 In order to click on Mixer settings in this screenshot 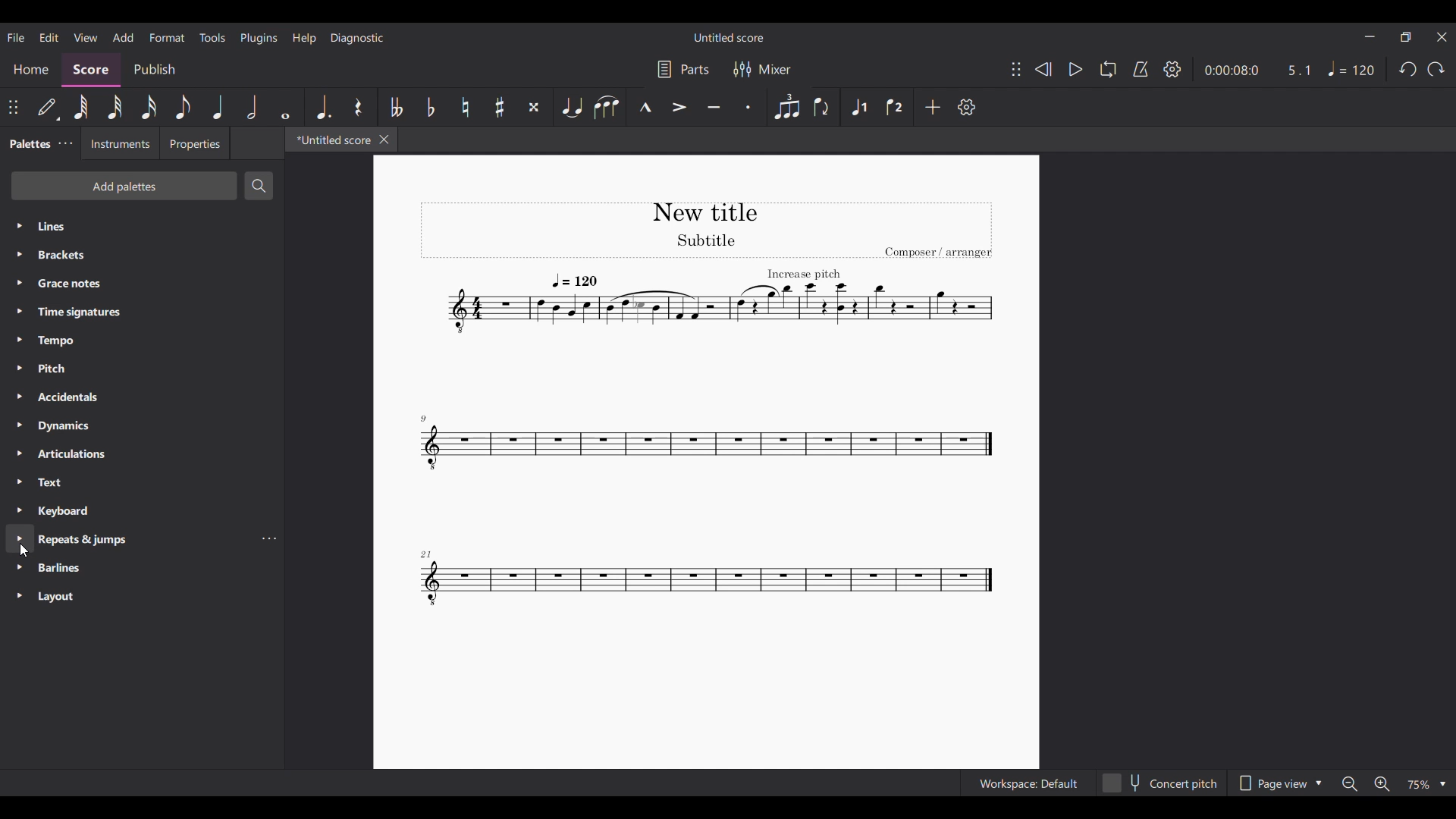, I will do `click(763, 69)`.